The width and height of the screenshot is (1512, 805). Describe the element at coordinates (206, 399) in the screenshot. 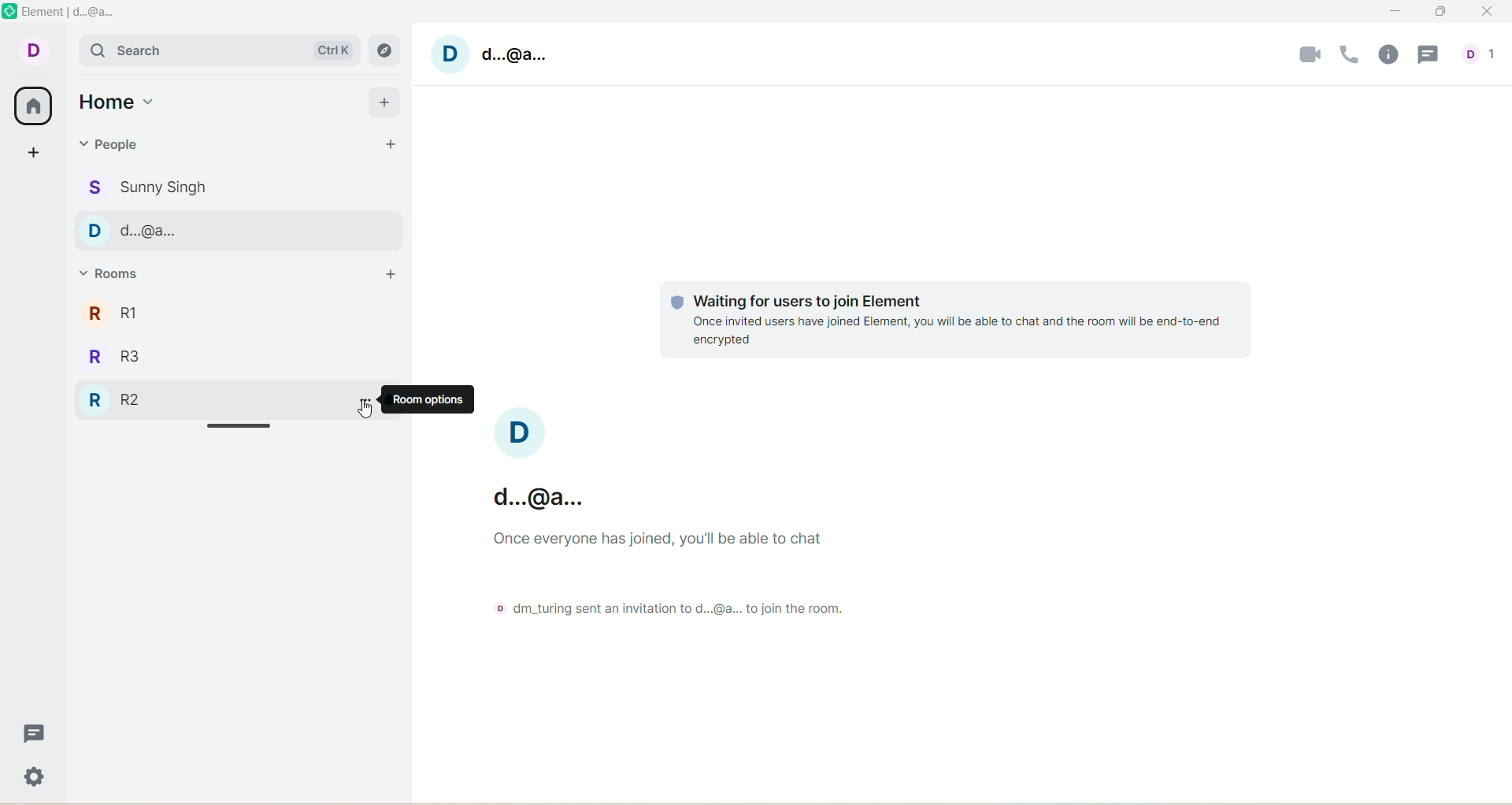

I see `R2` at that location.